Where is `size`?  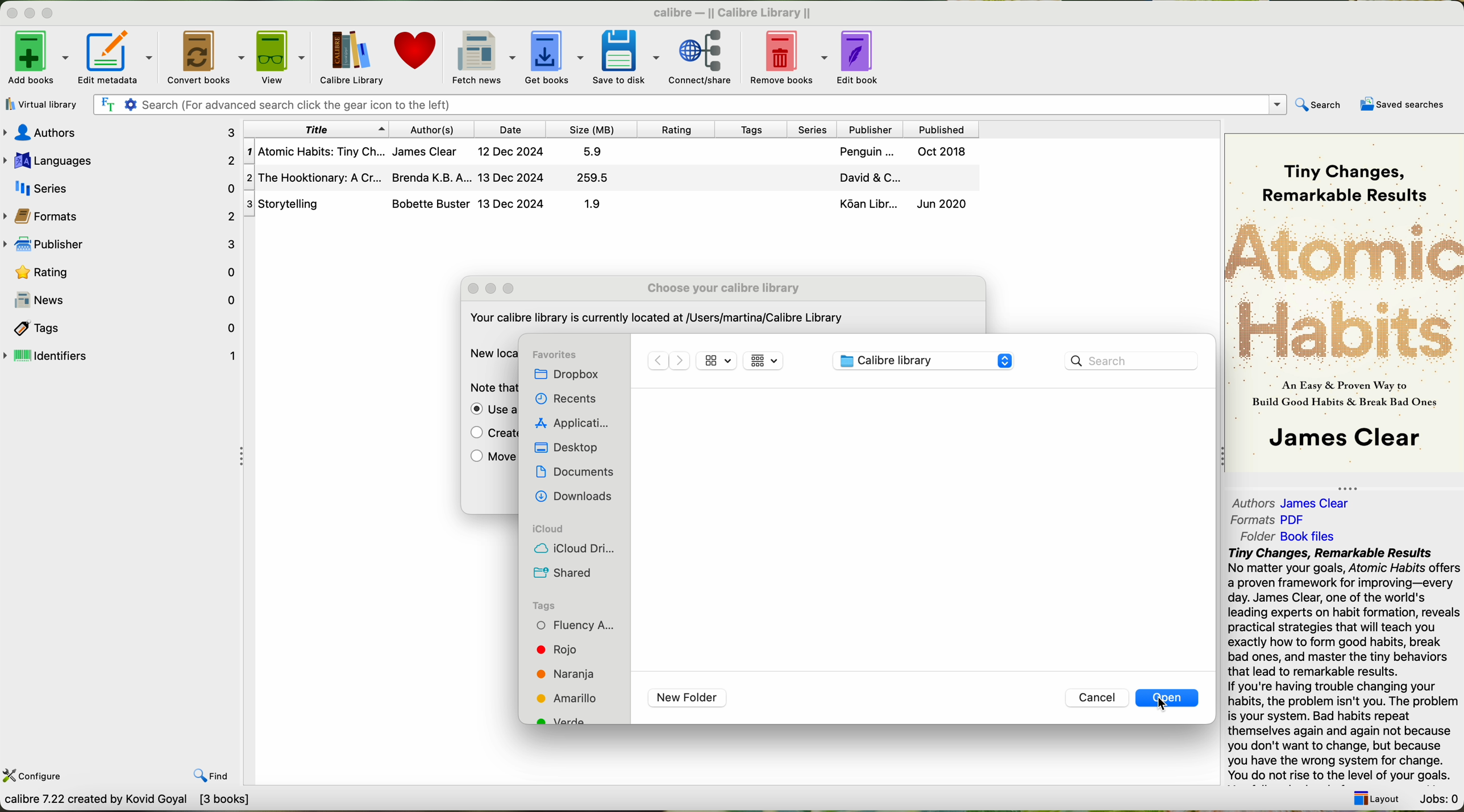
size is located at coordinates (592, 130).